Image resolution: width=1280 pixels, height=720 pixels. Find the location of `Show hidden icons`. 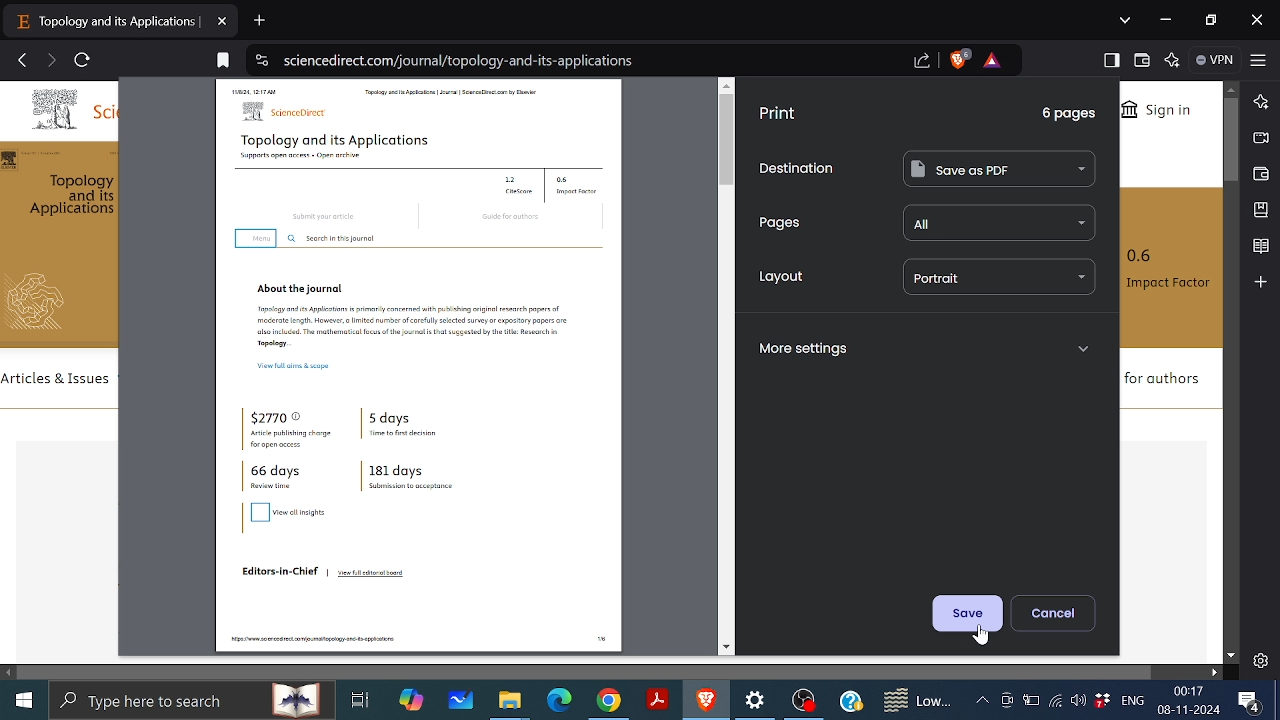

Show hidden icons is located at coordinates (982, 700).